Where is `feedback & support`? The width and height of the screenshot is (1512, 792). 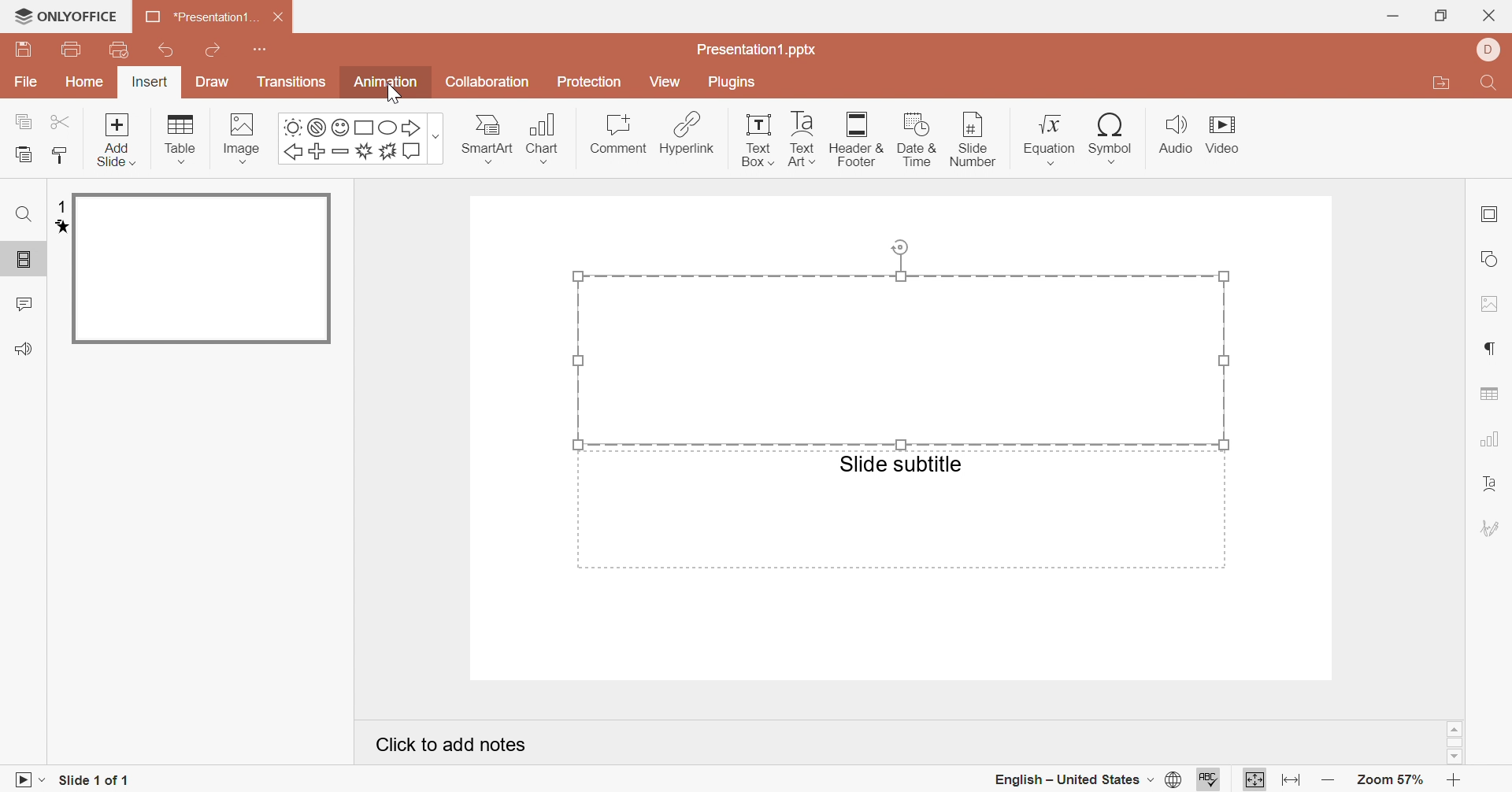 feedback & support is located at coordinates (26, 348).